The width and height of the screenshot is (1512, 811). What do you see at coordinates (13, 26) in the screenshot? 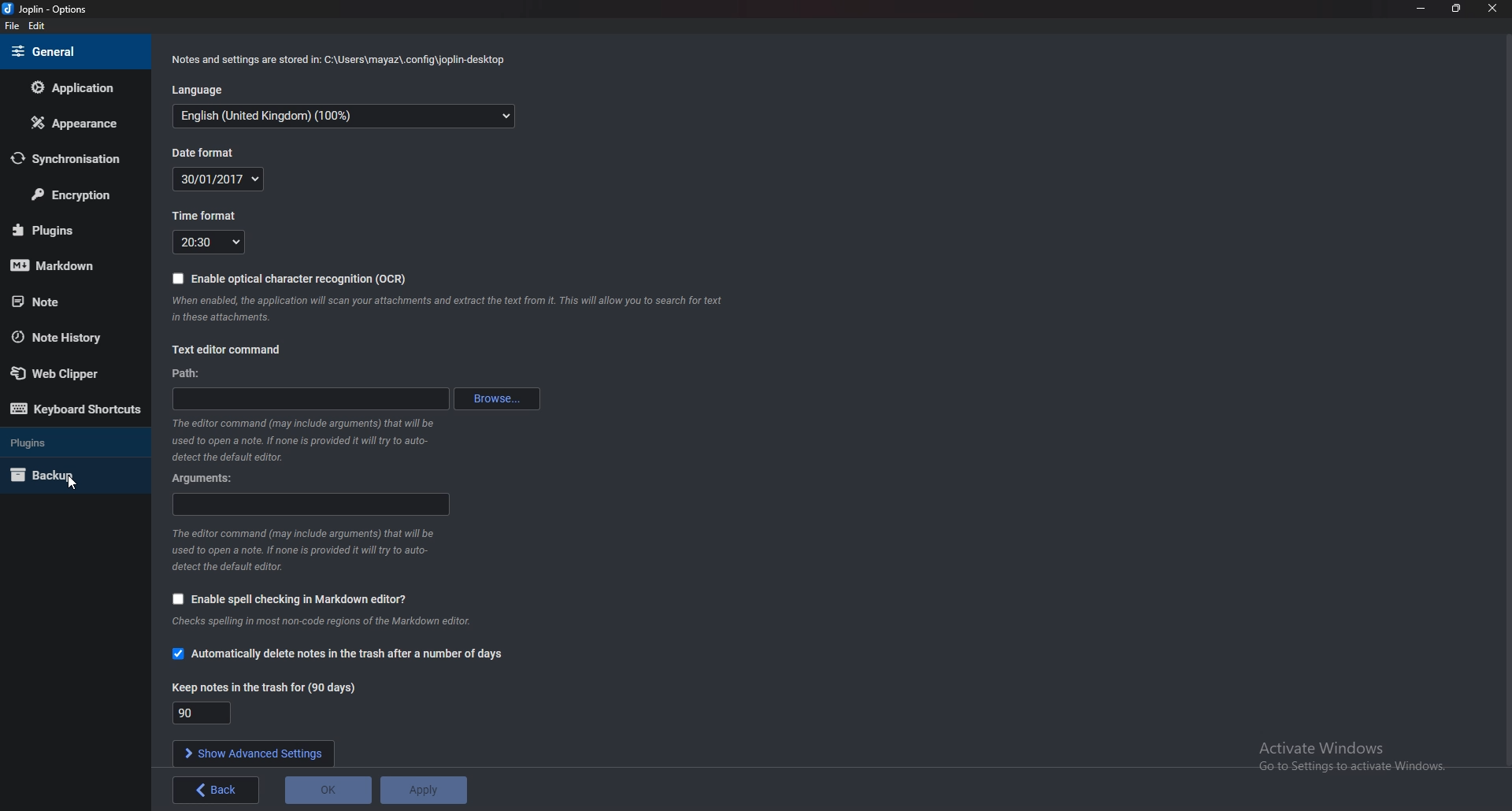
I see `file` at bounding box center [13, 26].